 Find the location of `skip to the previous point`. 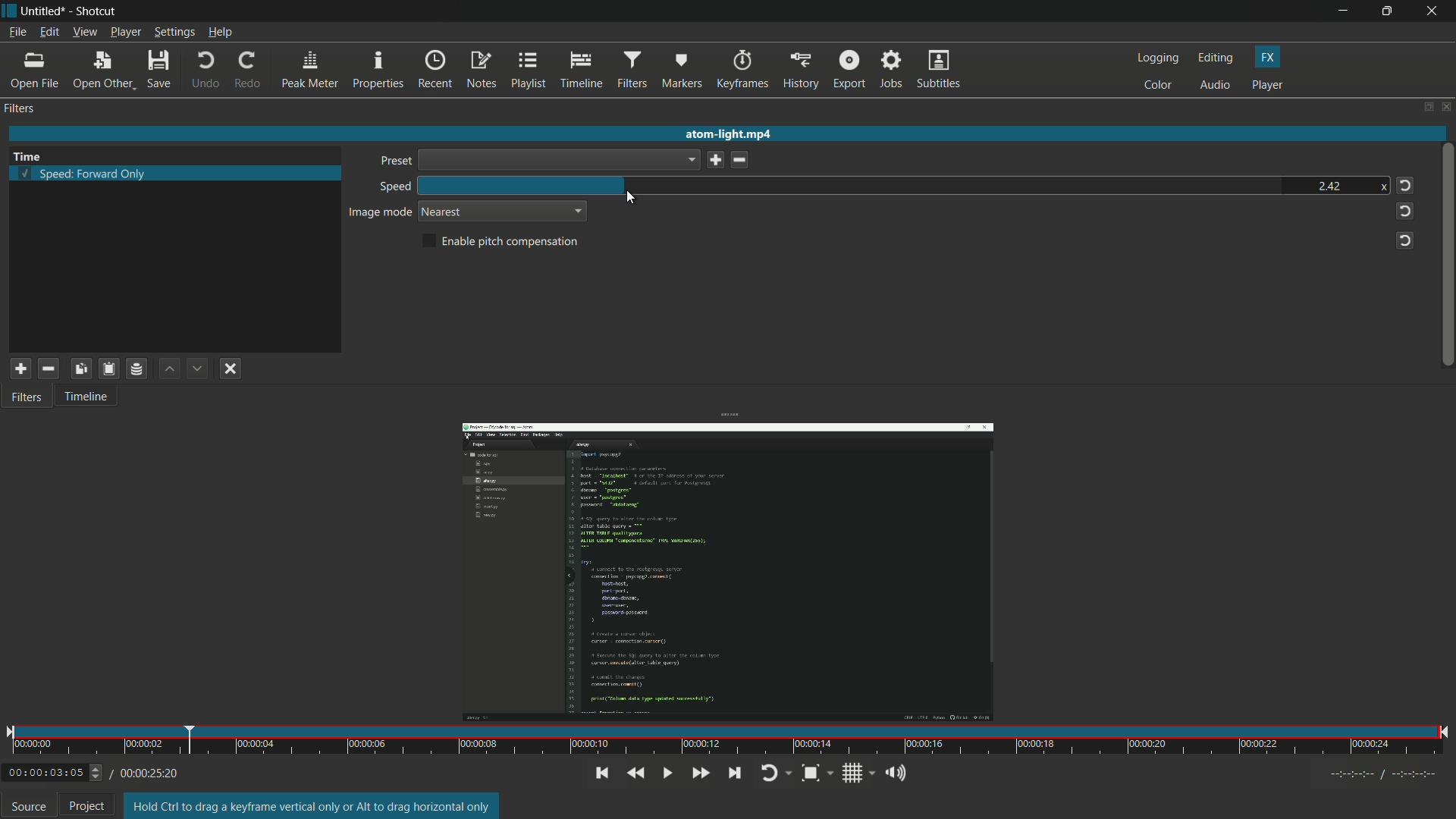

skip to the previous point is located at coordinates (600, 773).